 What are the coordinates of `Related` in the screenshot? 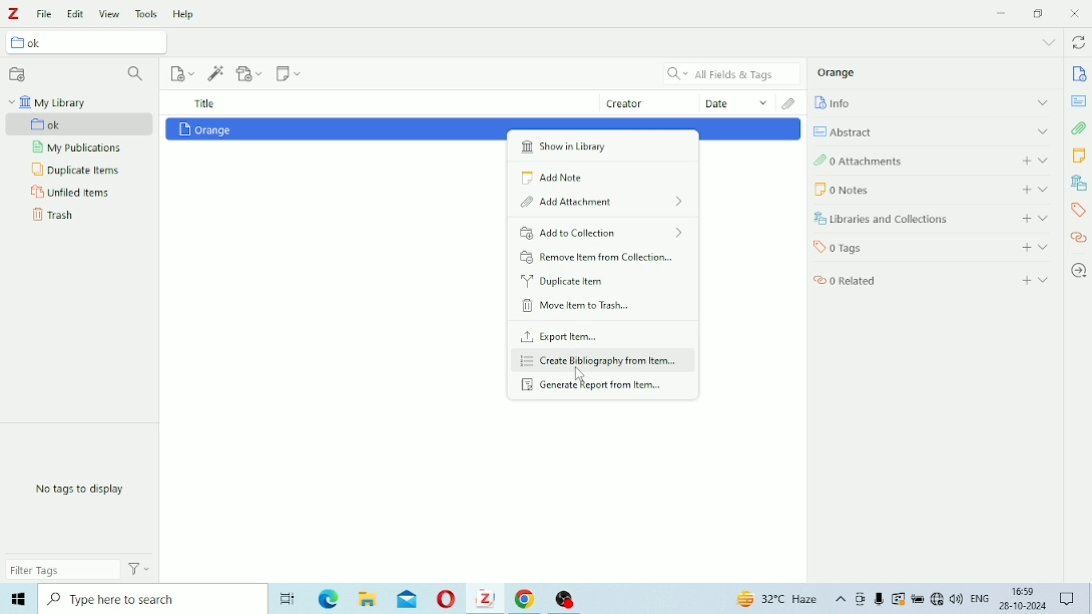 It's located at (933, 278).